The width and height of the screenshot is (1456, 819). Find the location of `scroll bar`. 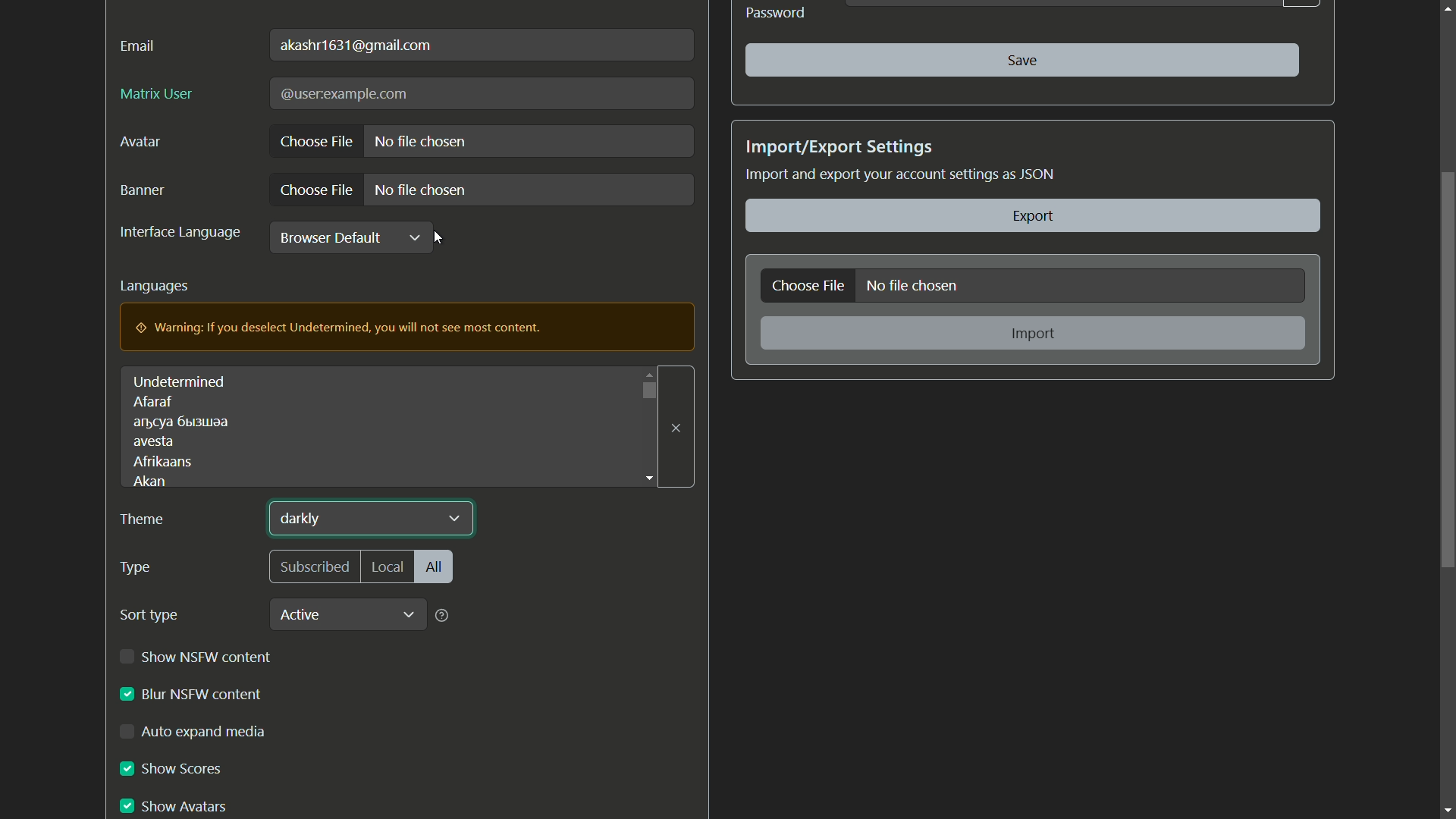

scroll bar is located at coordinates (1445, 373).